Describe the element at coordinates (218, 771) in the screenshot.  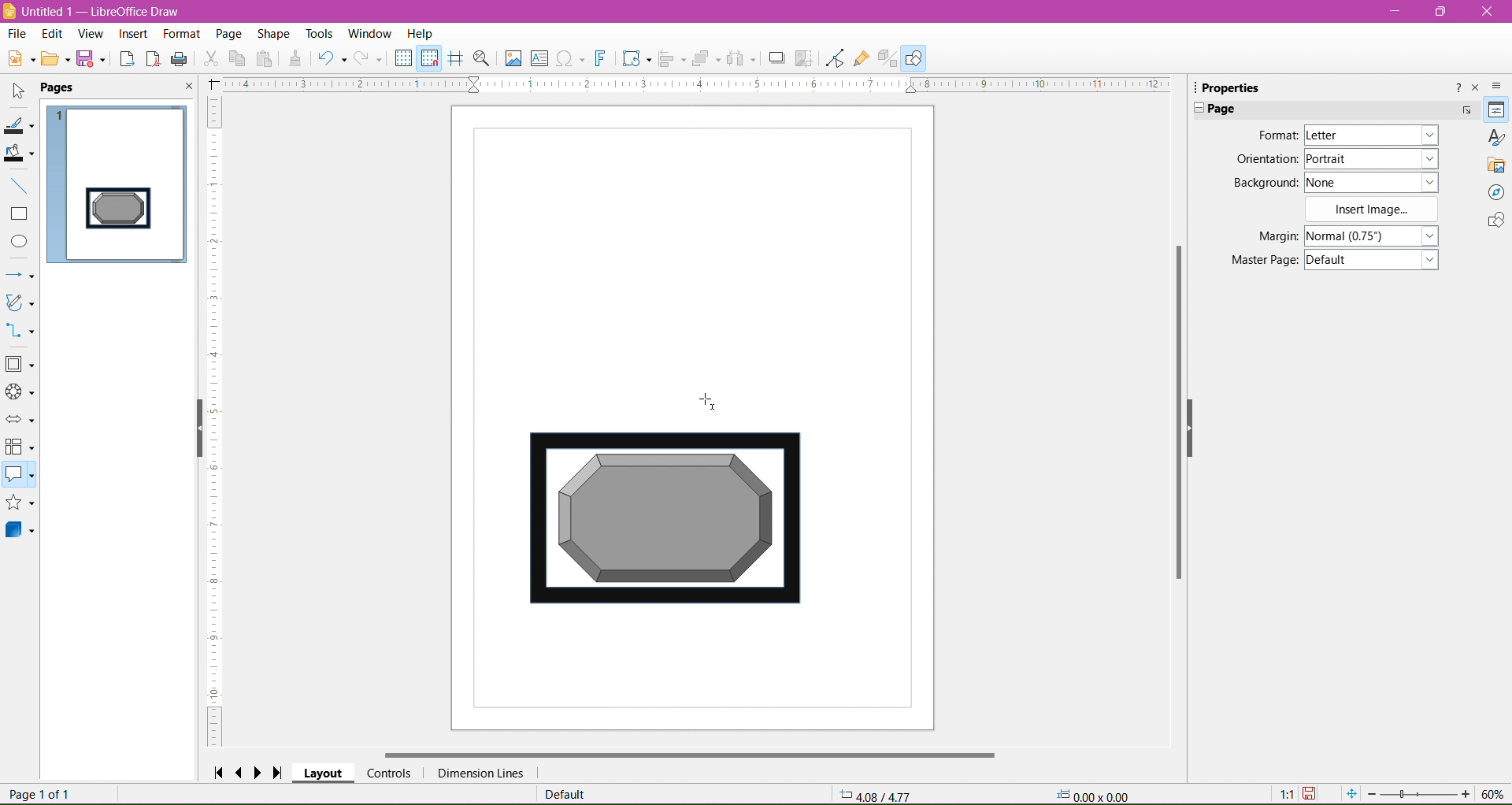
I see `Scroll to first page` at that location.